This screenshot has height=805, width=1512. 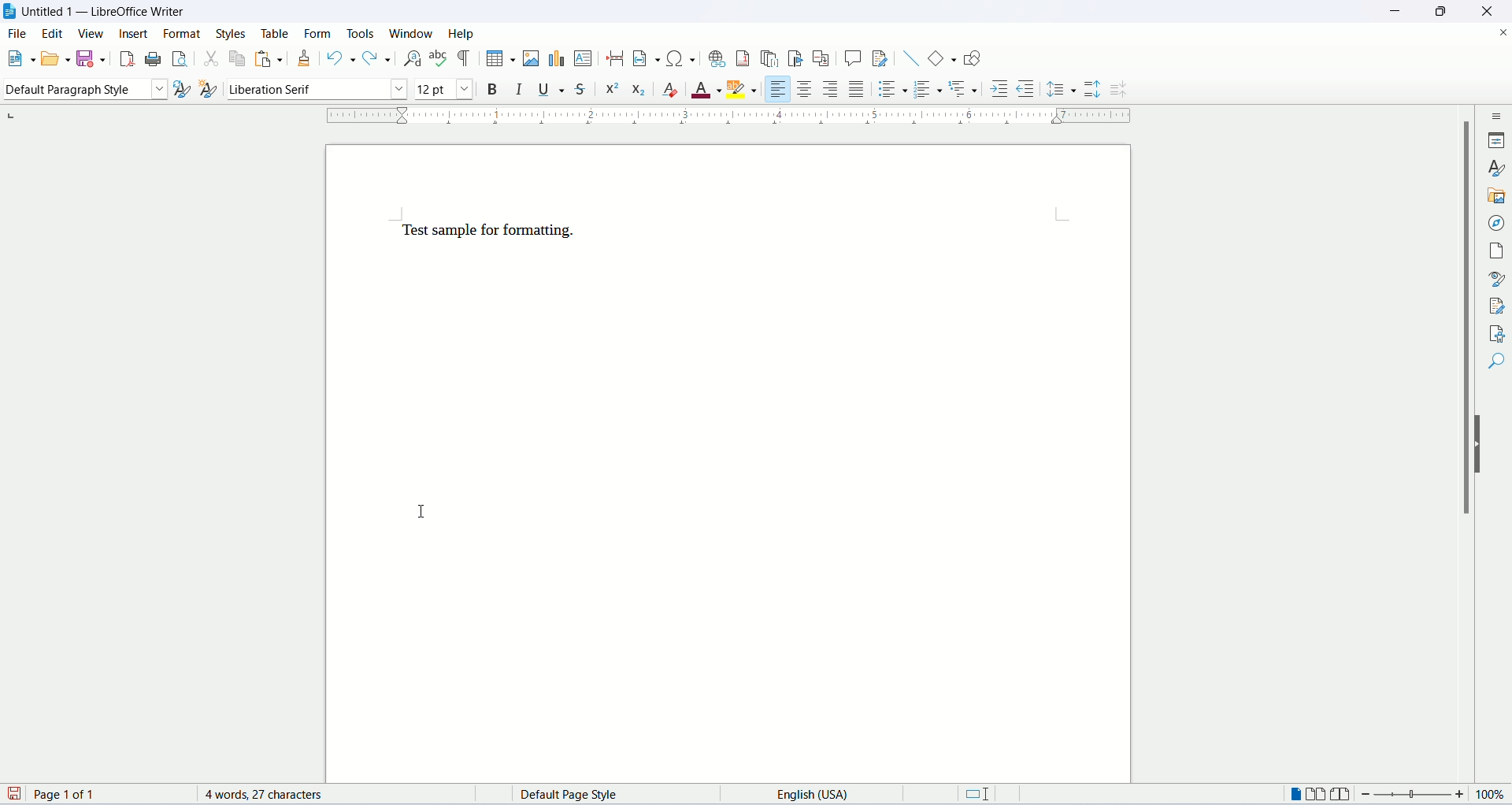 What do you see at coordinates (181, 88) in the screenshot?
I see `update selected style` at bounding box center [181, 88].